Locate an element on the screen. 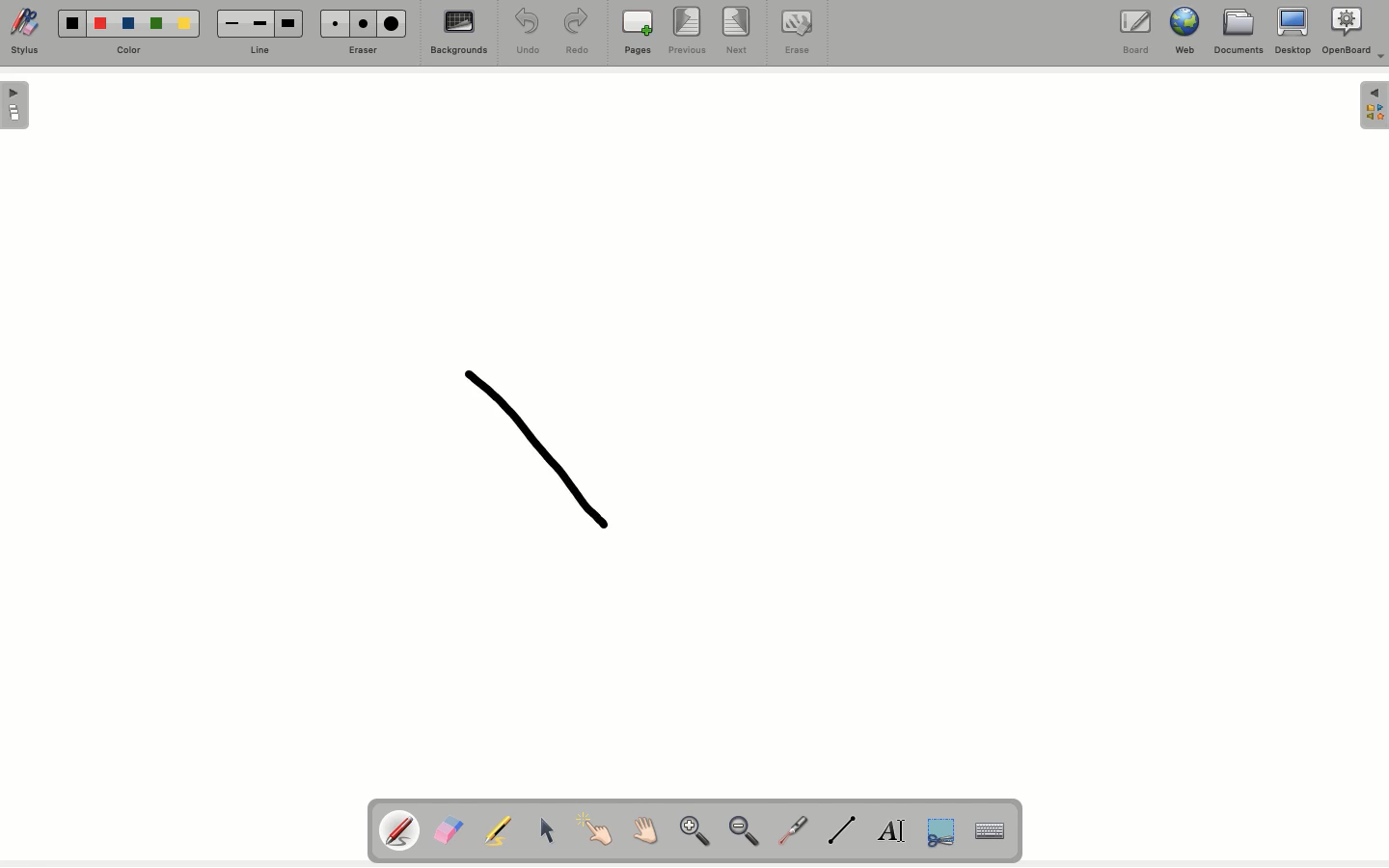 This screenshot has height=868, width=1389. Redo is located at coordinates (579, 34).